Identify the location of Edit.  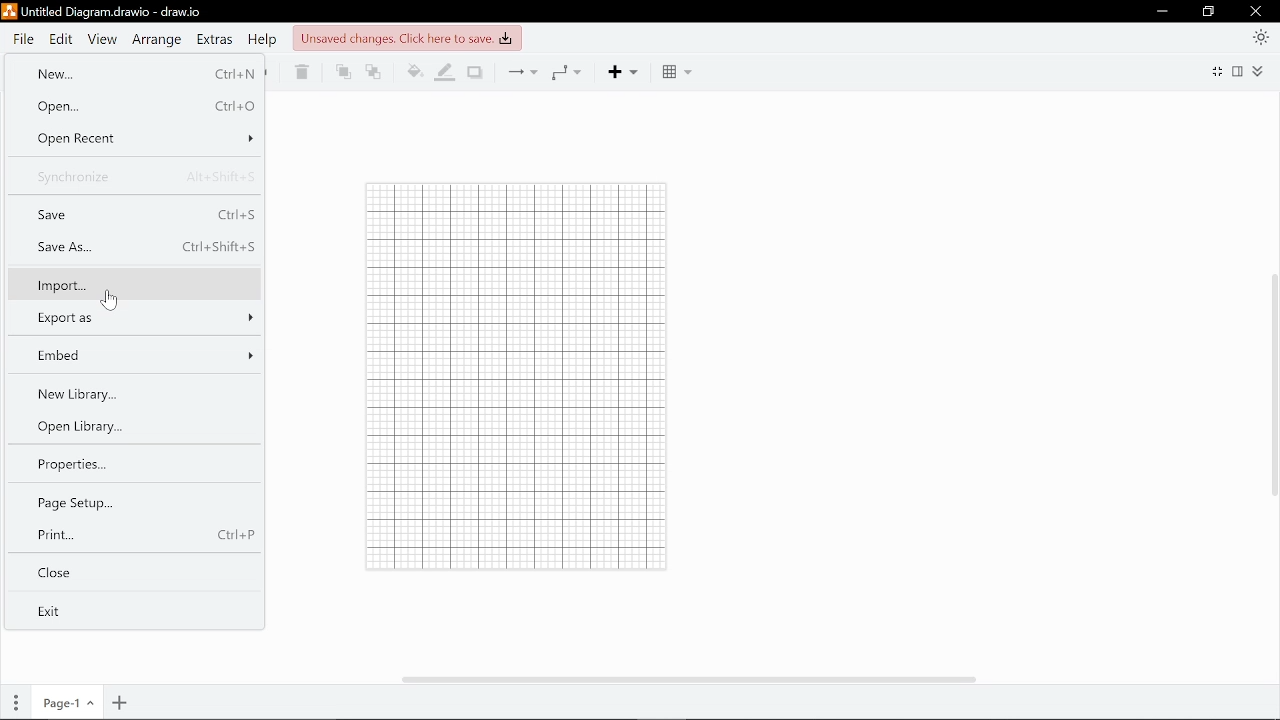
(62, 40).